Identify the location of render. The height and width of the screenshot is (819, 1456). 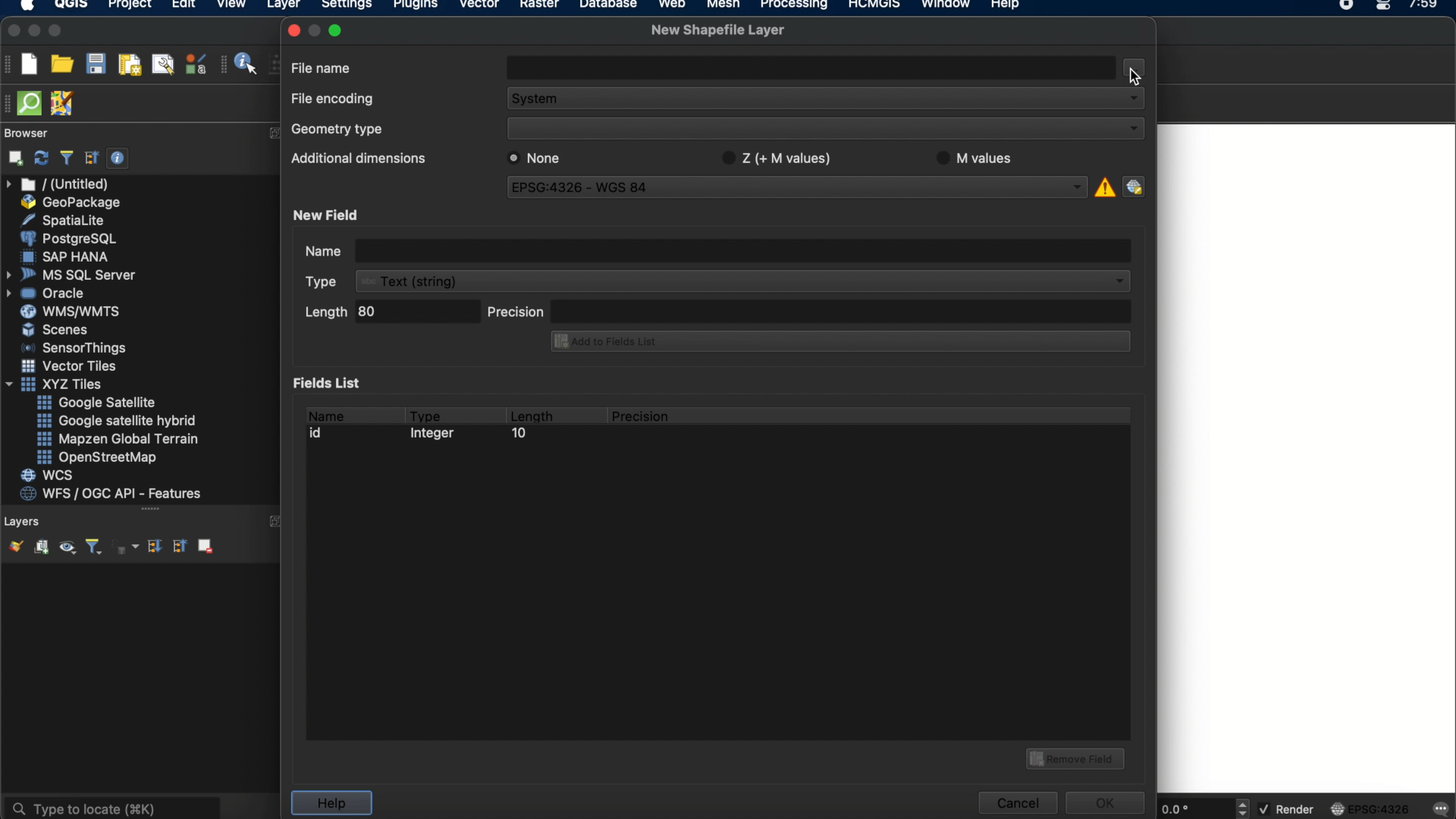
(1288, 810).